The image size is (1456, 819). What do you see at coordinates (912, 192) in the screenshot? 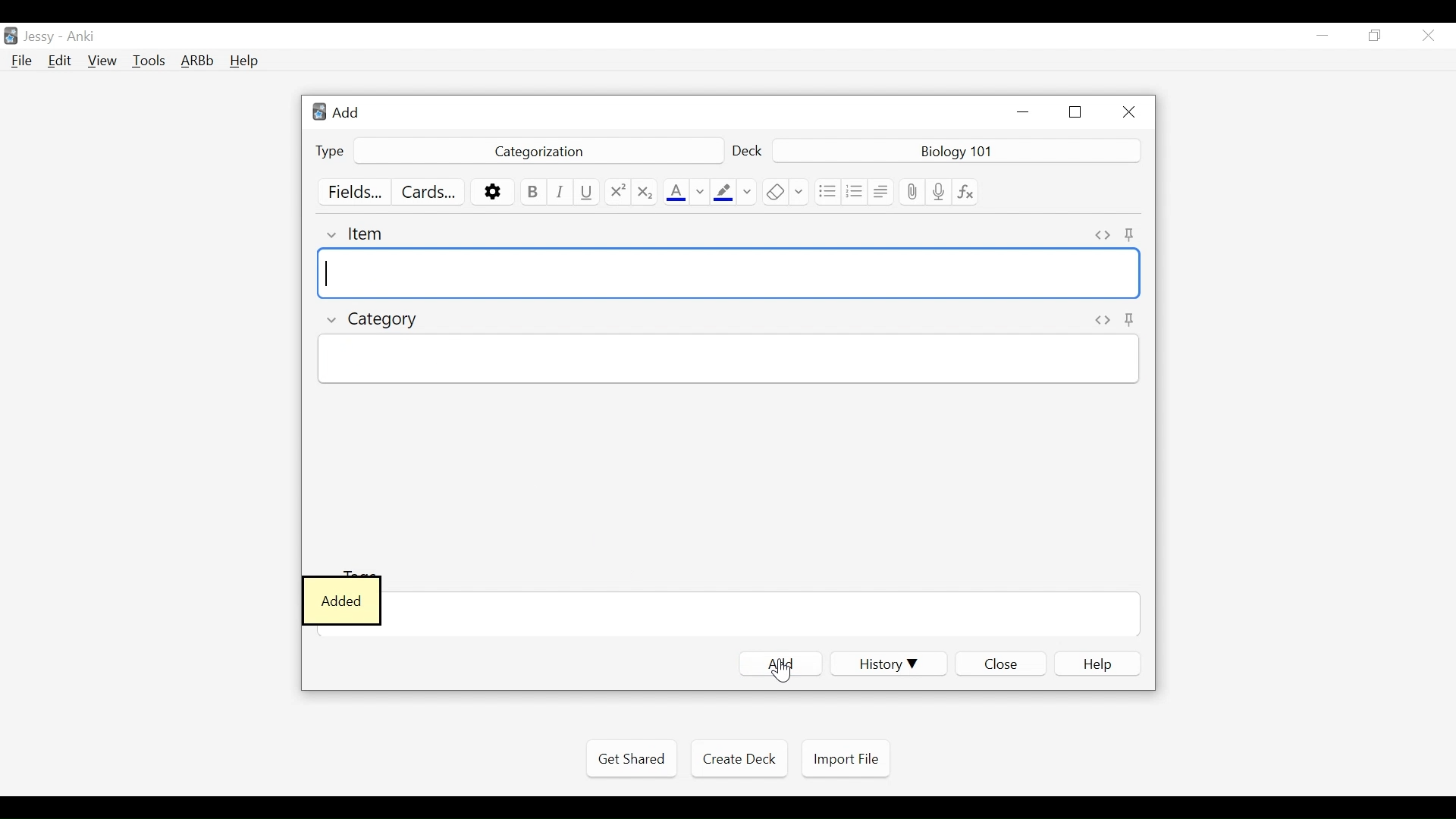
I see `Upload File` at bounding box center [912, 192].